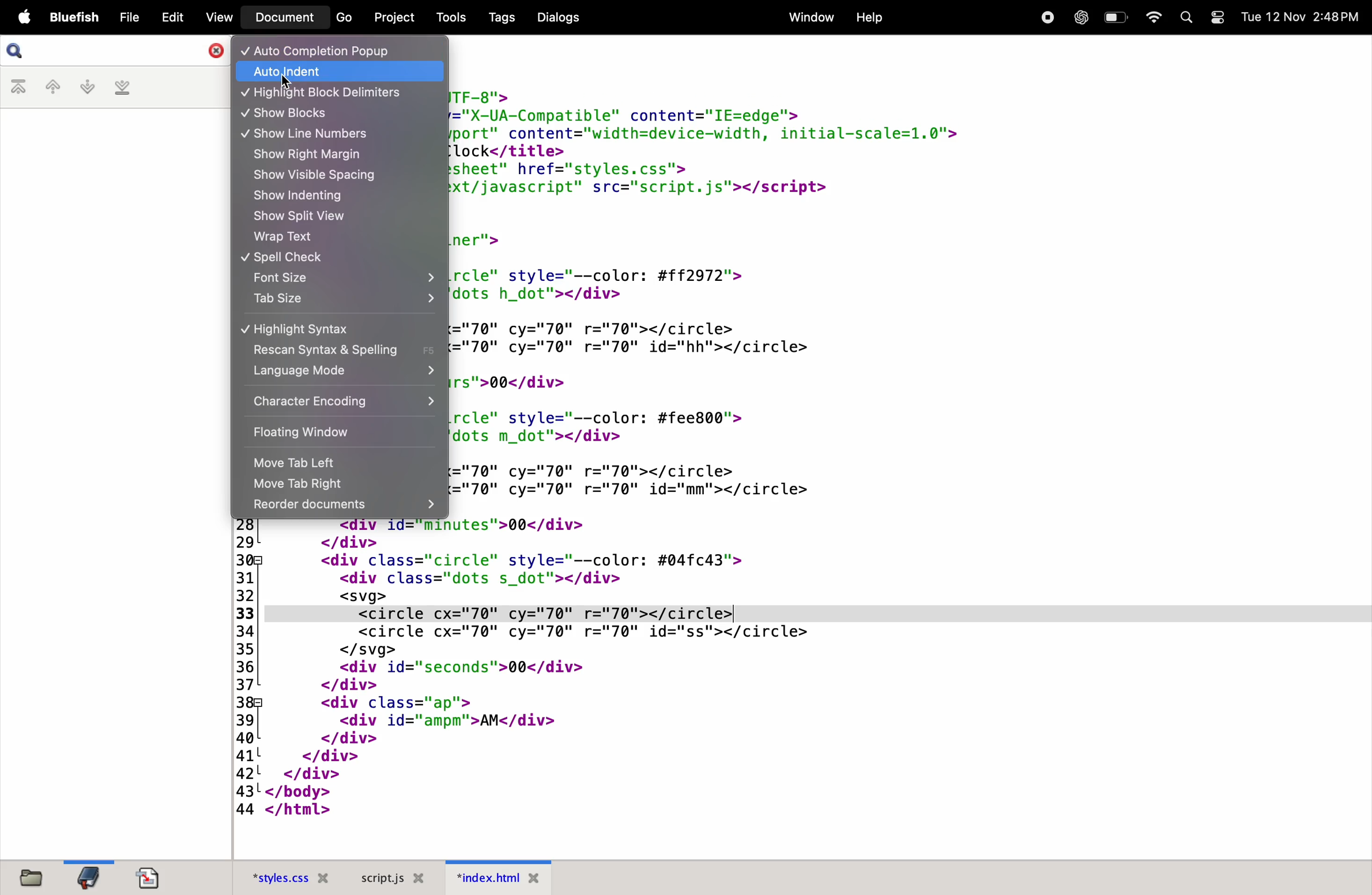 The image size is (1372, 895). What do you see at coordinates (718, 289) in the screenshot?
I see `HTML code for a digital clock interface with animated circles showing the current time.` at bounding box center [718, 289].